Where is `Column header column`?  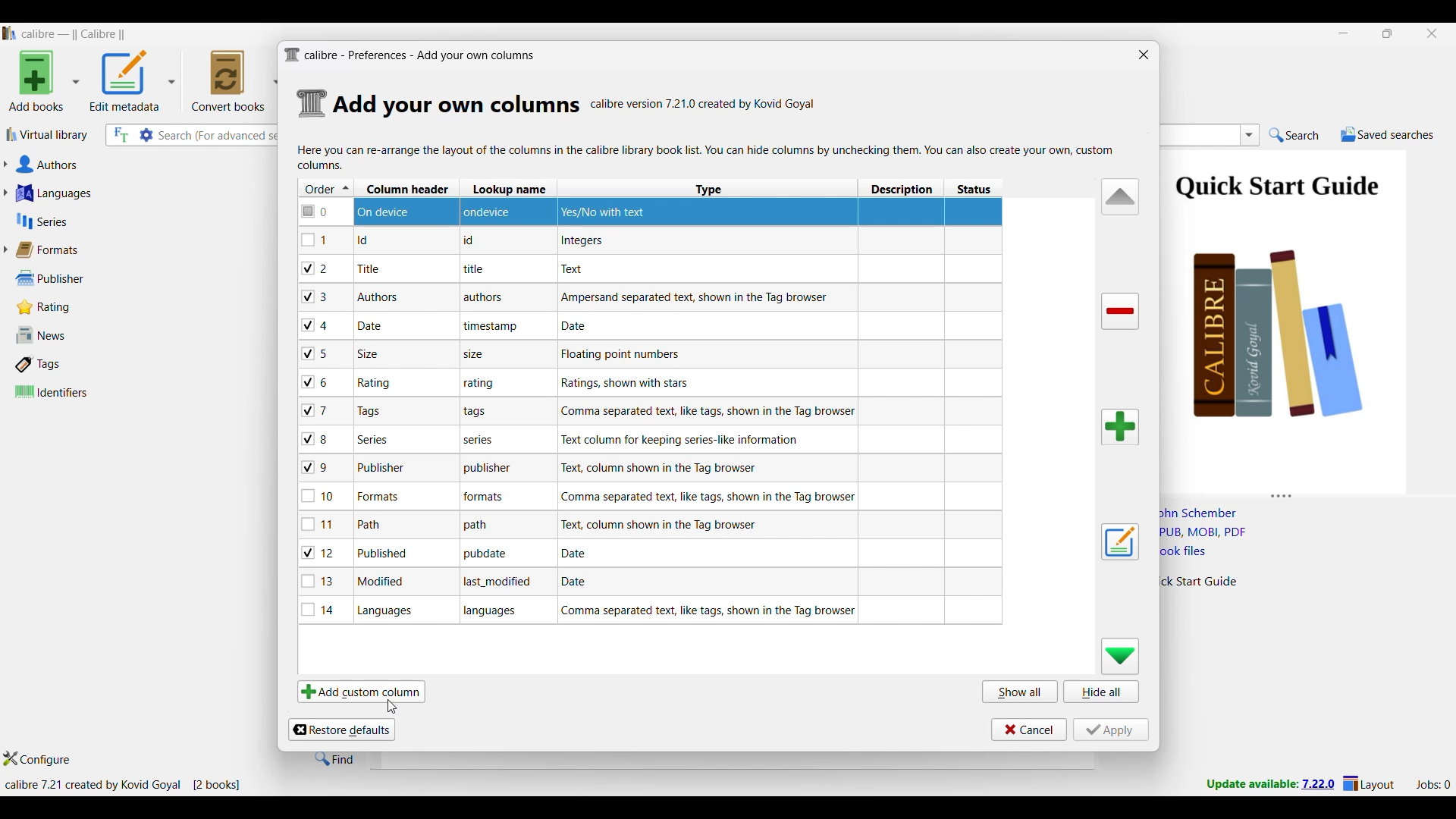
Column header column is located at coordinates (407, 187).